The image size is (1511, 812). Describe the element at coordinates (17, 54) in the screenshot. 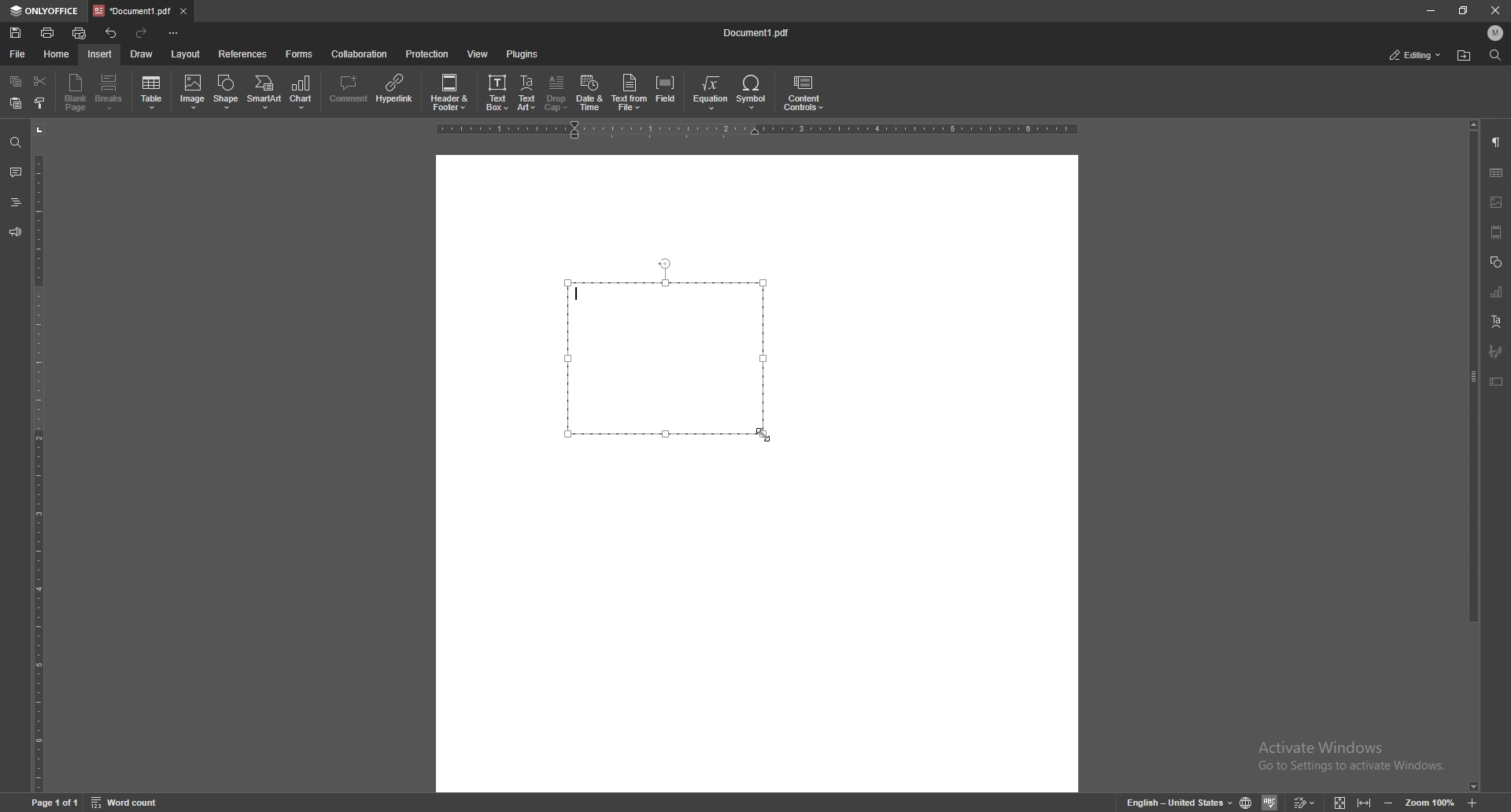

I see `file` at that location.